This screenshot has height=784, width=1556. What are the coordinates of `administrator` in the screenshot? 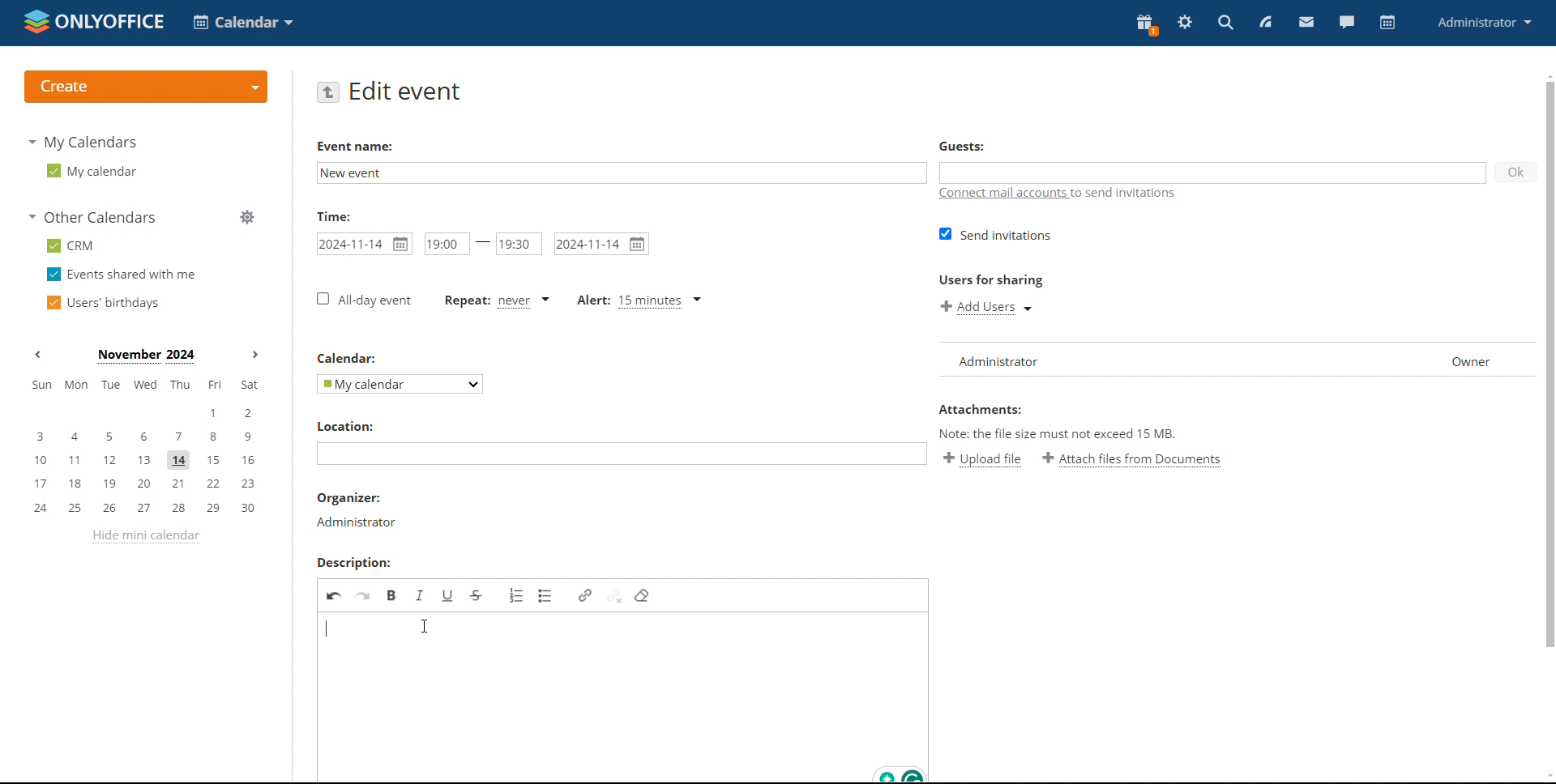 It's located at (357, 522).